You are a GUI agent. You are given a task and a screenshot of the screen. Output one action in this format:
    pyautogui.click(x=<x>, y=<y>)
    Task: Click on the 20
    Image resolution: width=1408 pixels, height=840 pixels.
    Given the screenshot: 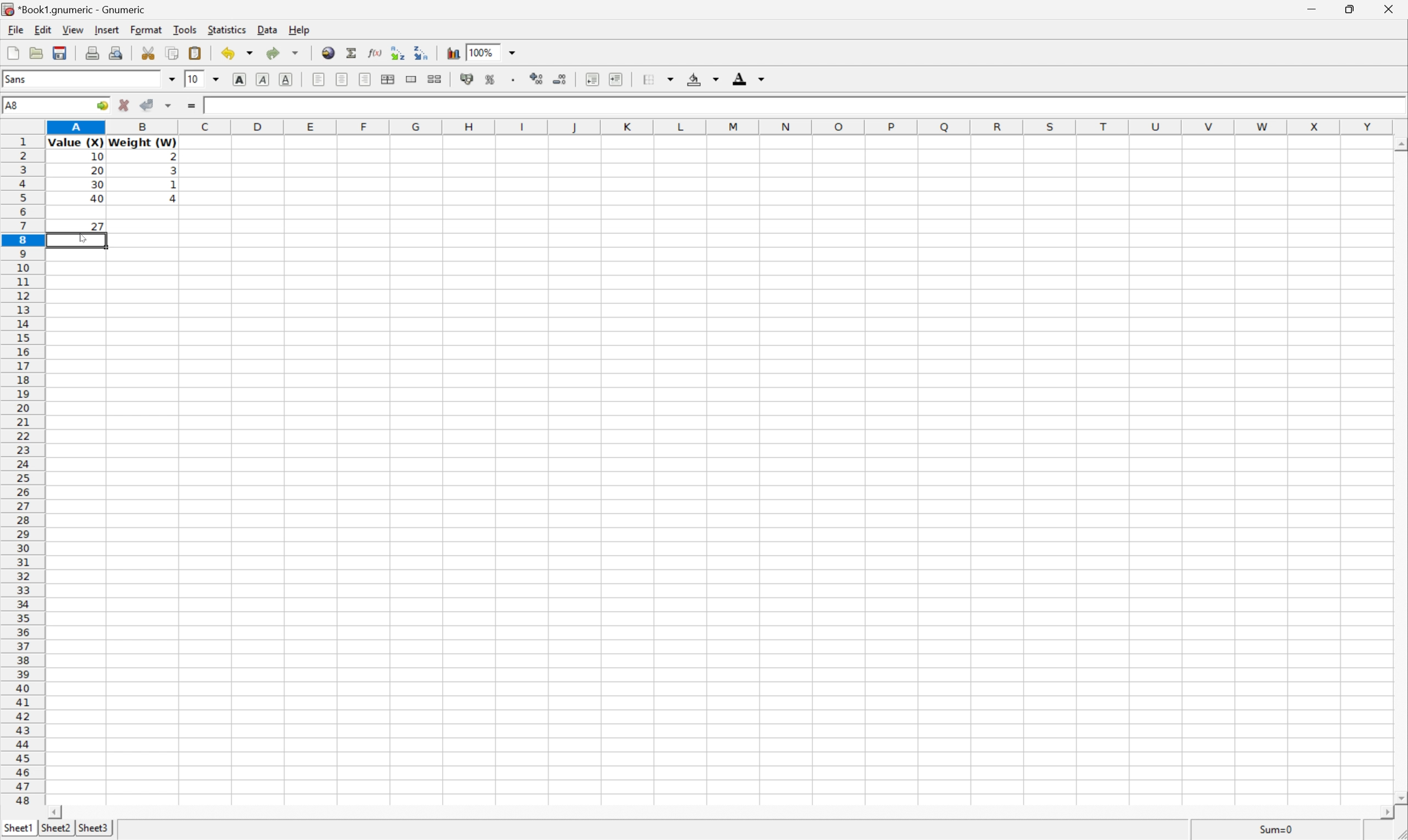 What is the action you would take?
    pyautogui.click(x=98, y=169)
    